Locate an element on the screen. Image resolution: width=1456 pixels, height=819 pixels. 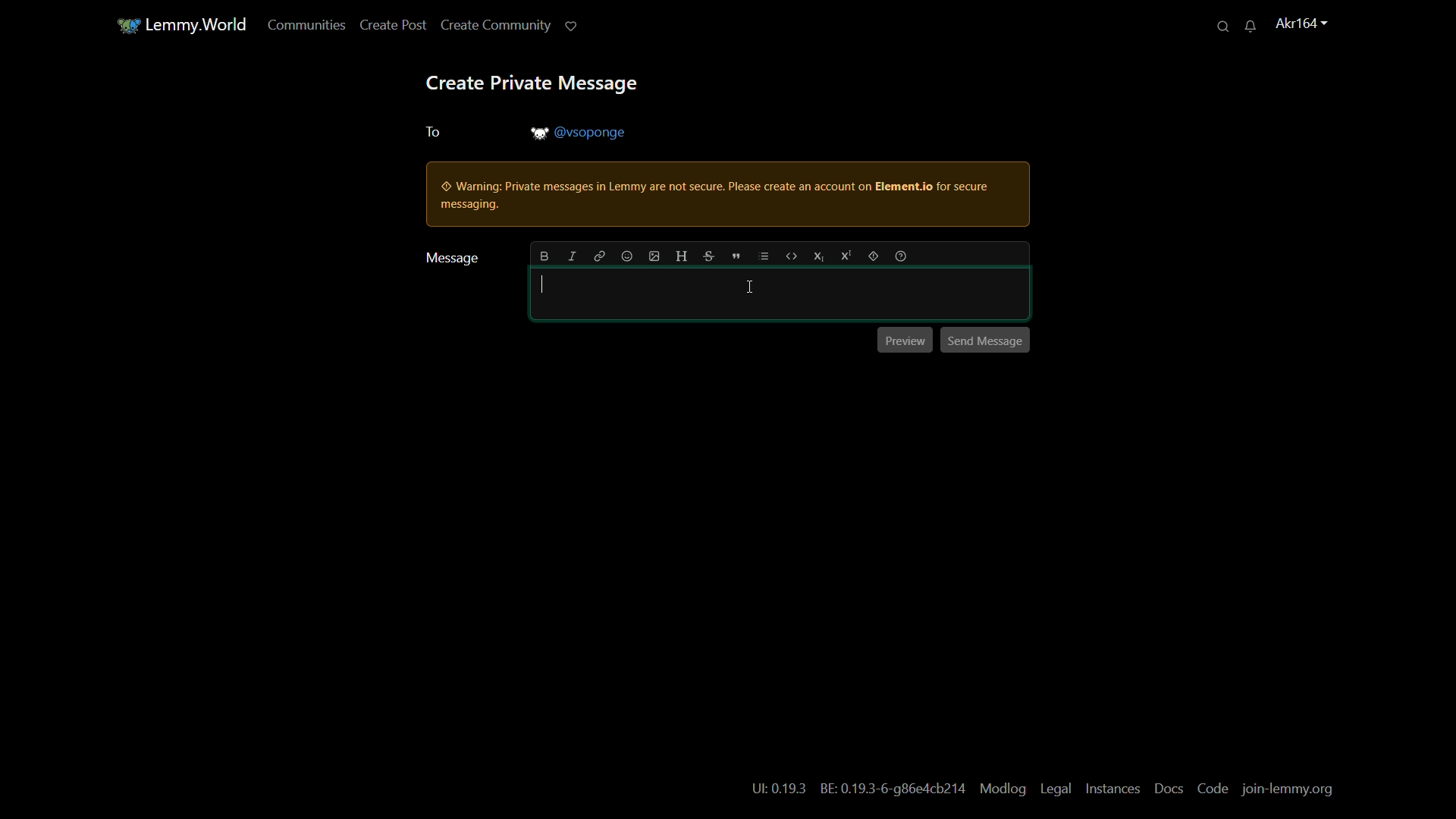
strikethrough is located at coordinates (707, 255).